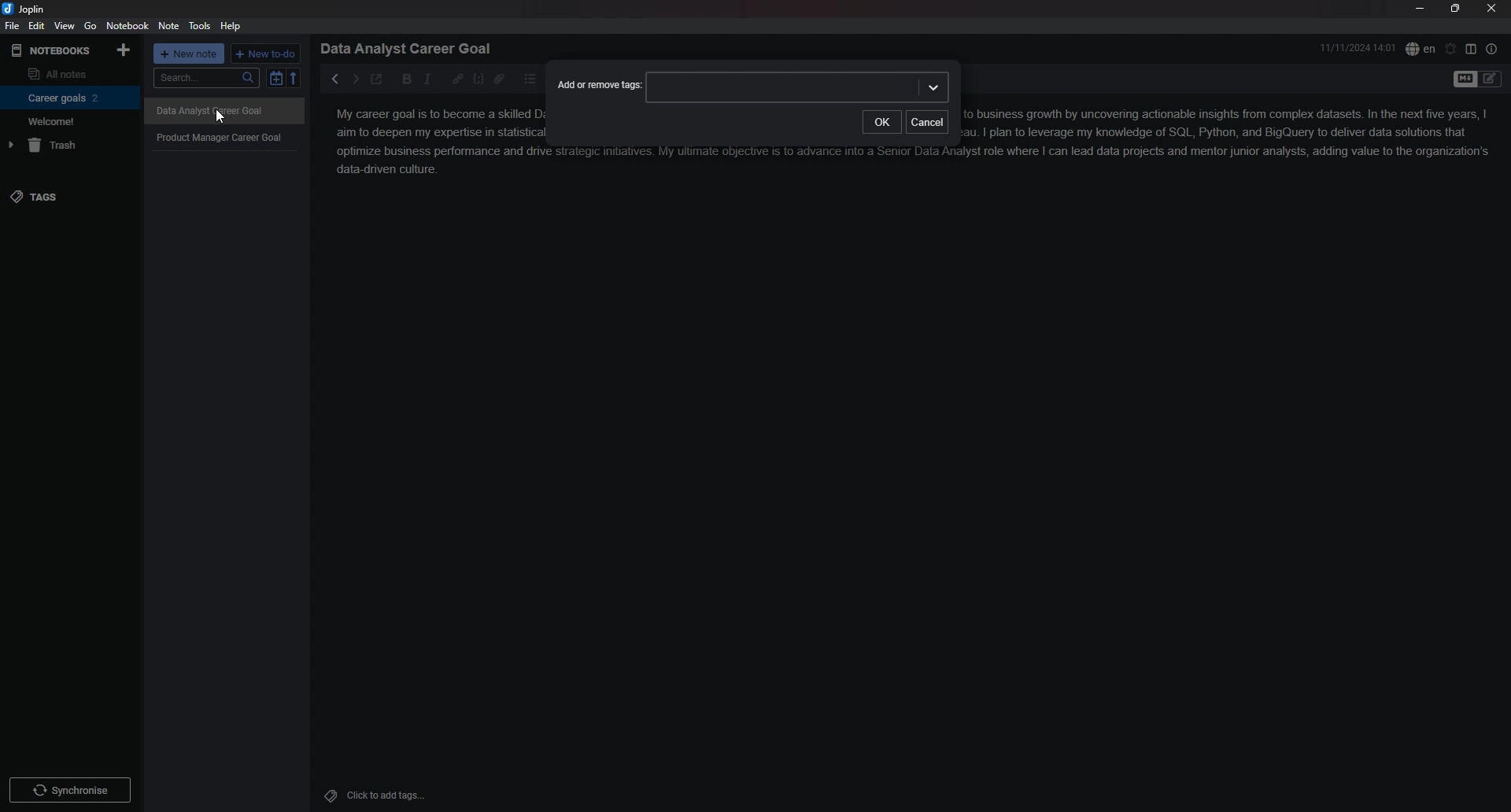 The height and width of the screenshot is (812, 1511). I want to click on synchronise, so click(68, 789).